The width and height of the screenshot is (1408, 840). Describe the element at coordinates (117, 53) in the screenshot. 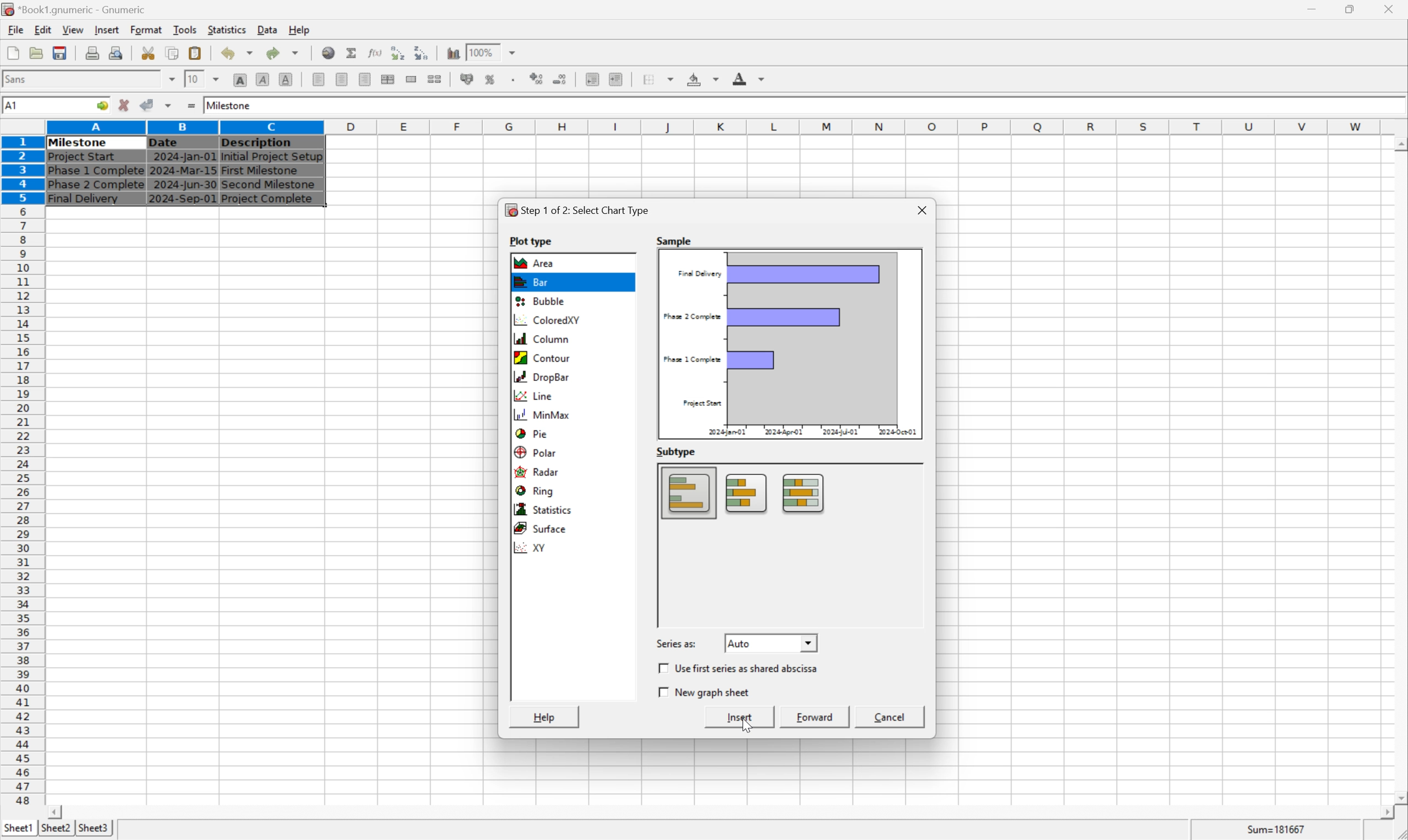

I see `quick print` at that location.